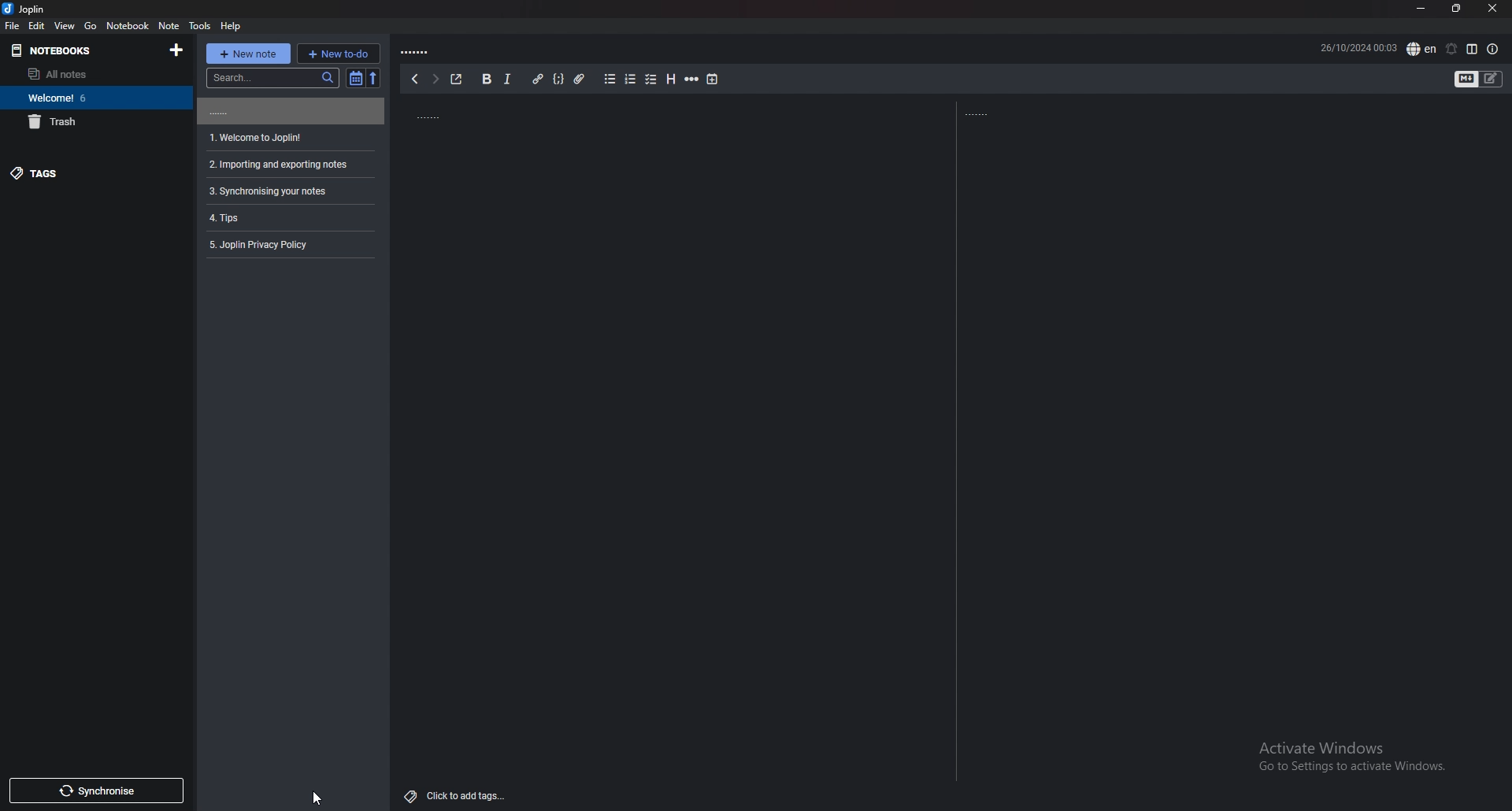 This screenshot has width=1512, height=811. Describe the element at coordinates (1494, 8) in the screenshot. I see `close` at that location.